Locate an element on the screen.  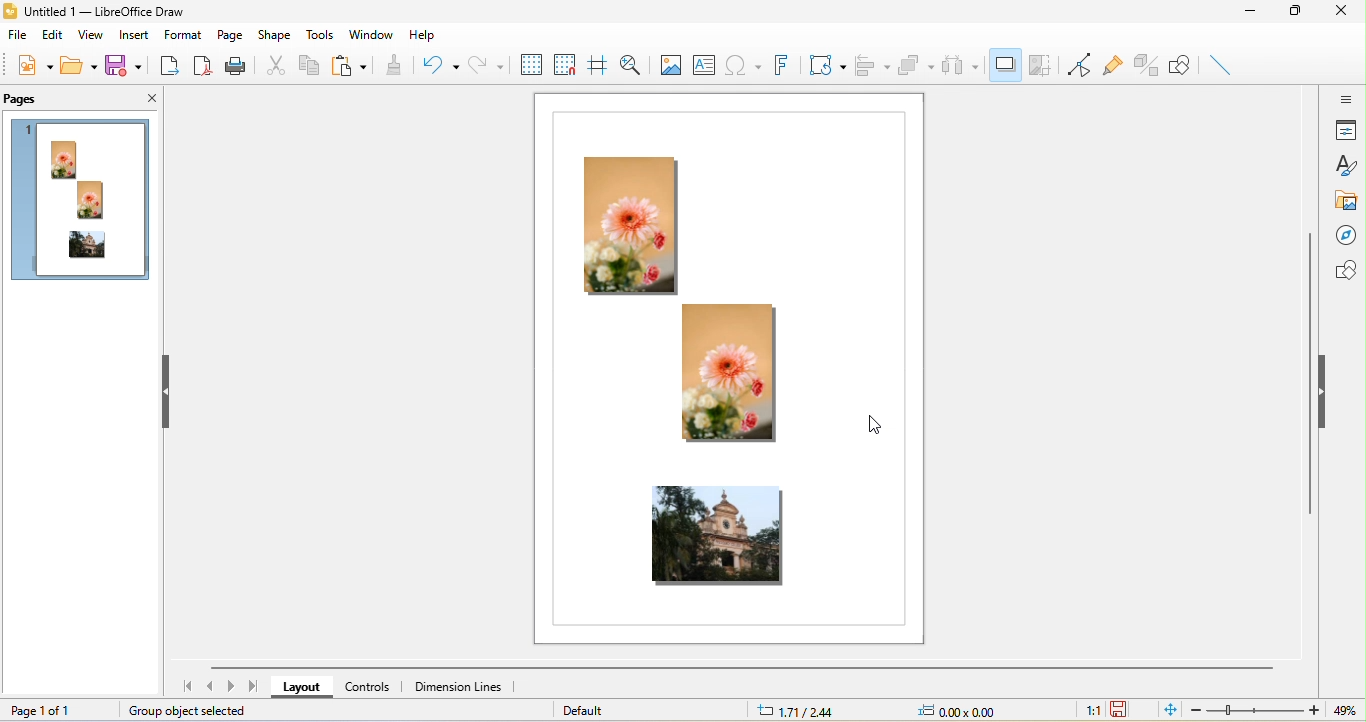
vertical scroll bar is located at coordinates (1310, 374).